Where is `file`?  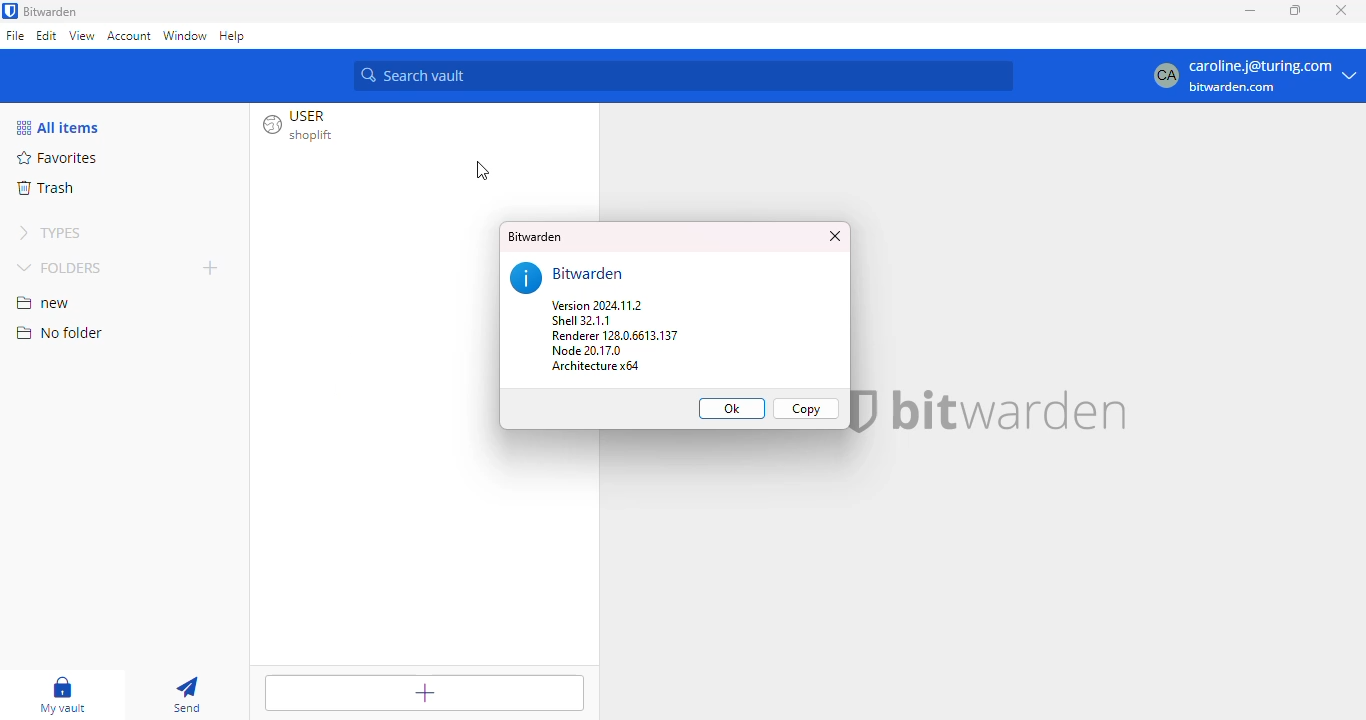 file is located at coordinates (16, 35).